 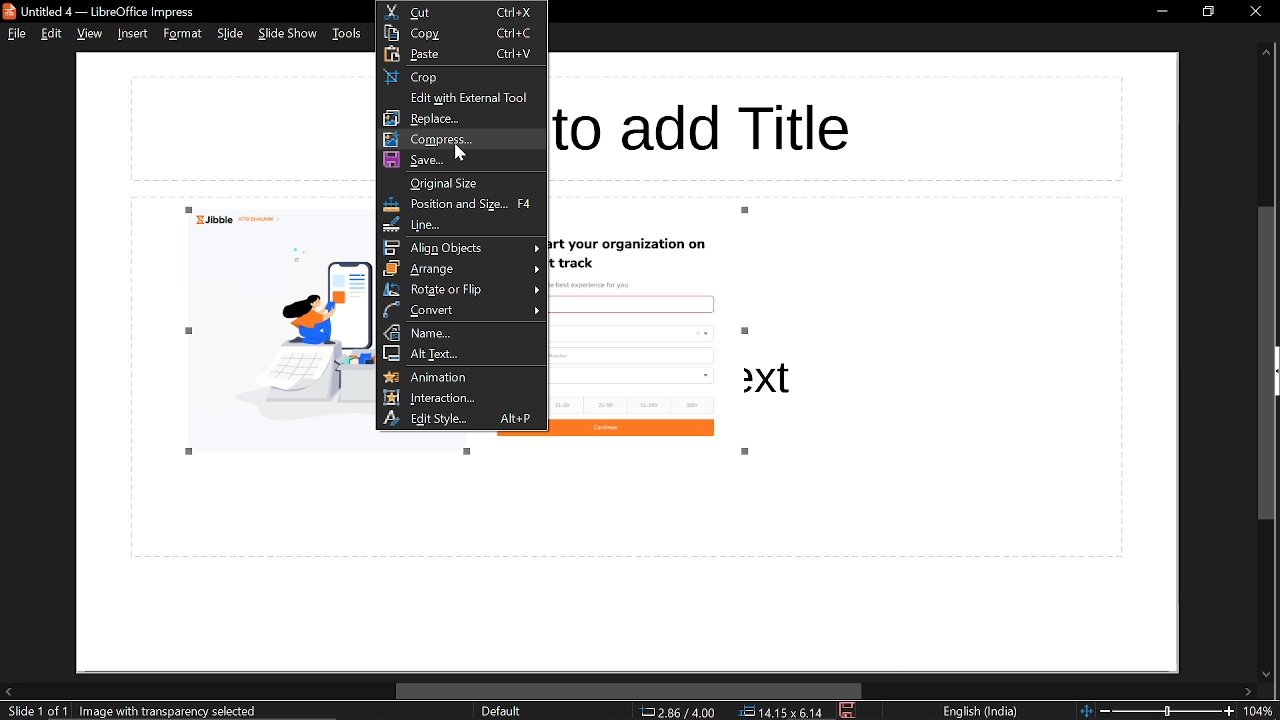 What do you see at coordinates (104, 11) in the screenshot?
I see `current window` at bounding box center [104, 11].